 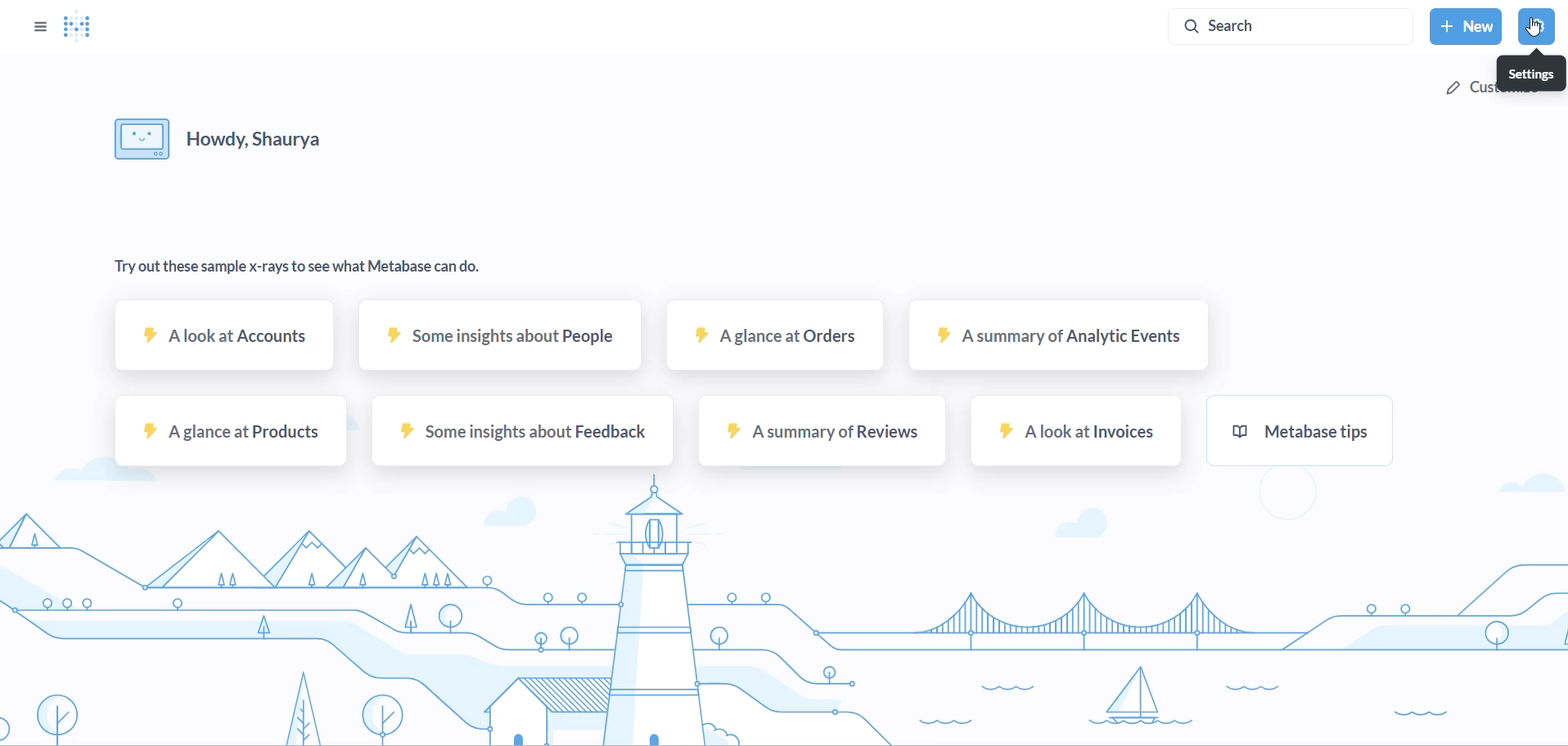 I want to click on OPTIONS, so click(x=43, y=27).